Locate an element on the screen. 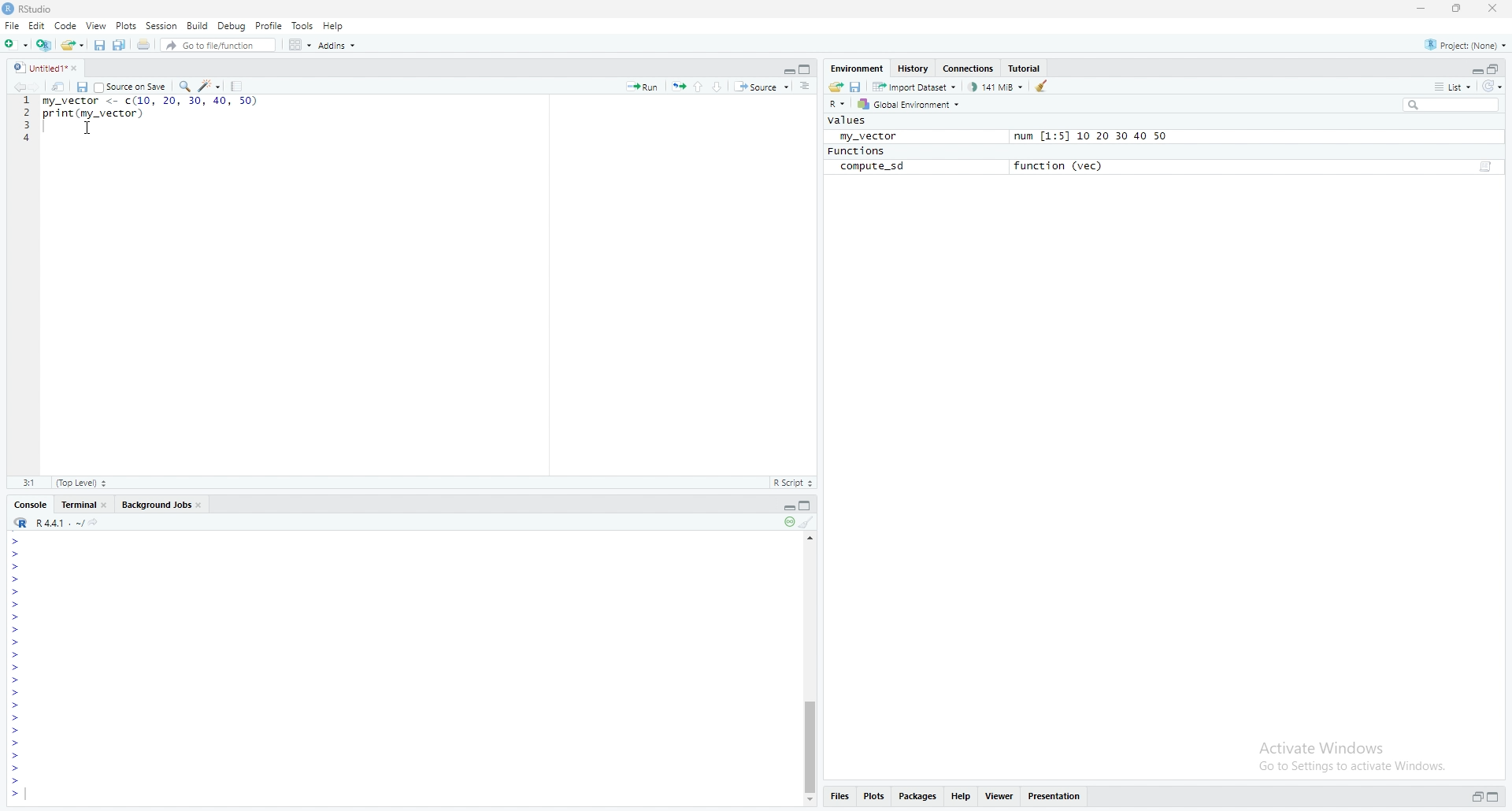  History is located at coordinates (911, 69).